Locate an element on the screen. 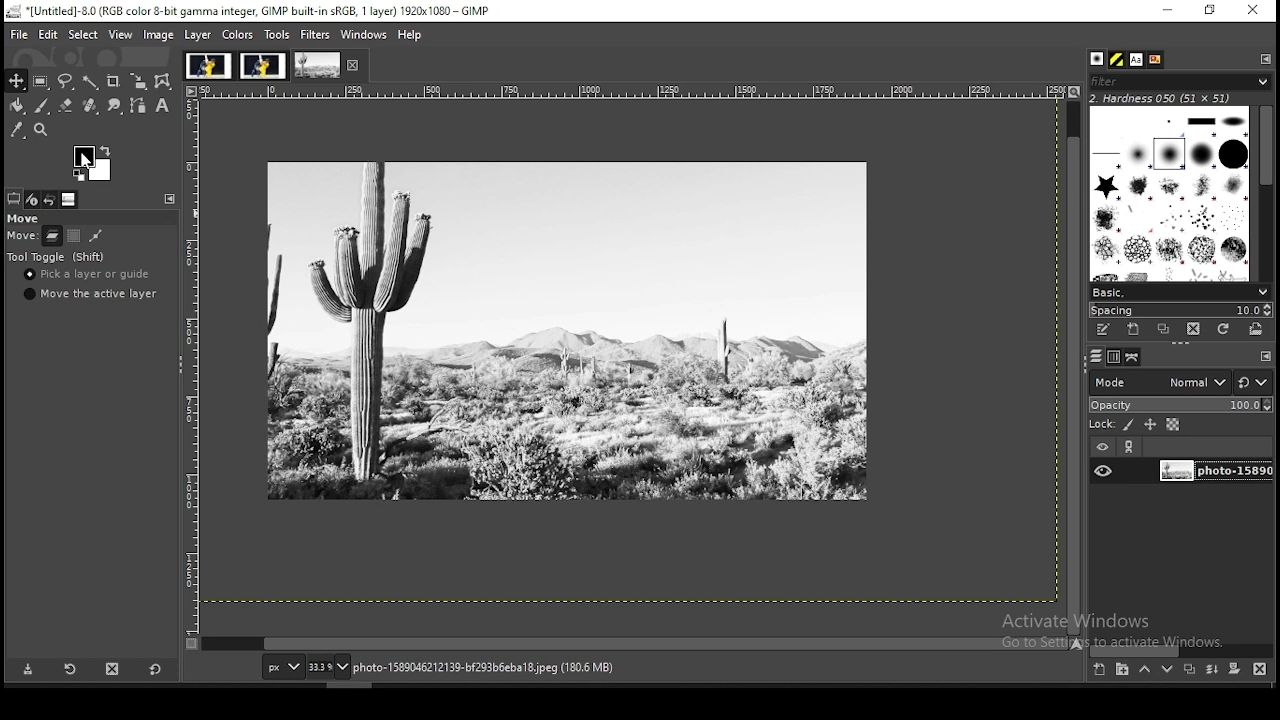 Image resolution: width=1280 pixels, height=720 pixels. pick a layer or guide is located at coordinates (87, 274).